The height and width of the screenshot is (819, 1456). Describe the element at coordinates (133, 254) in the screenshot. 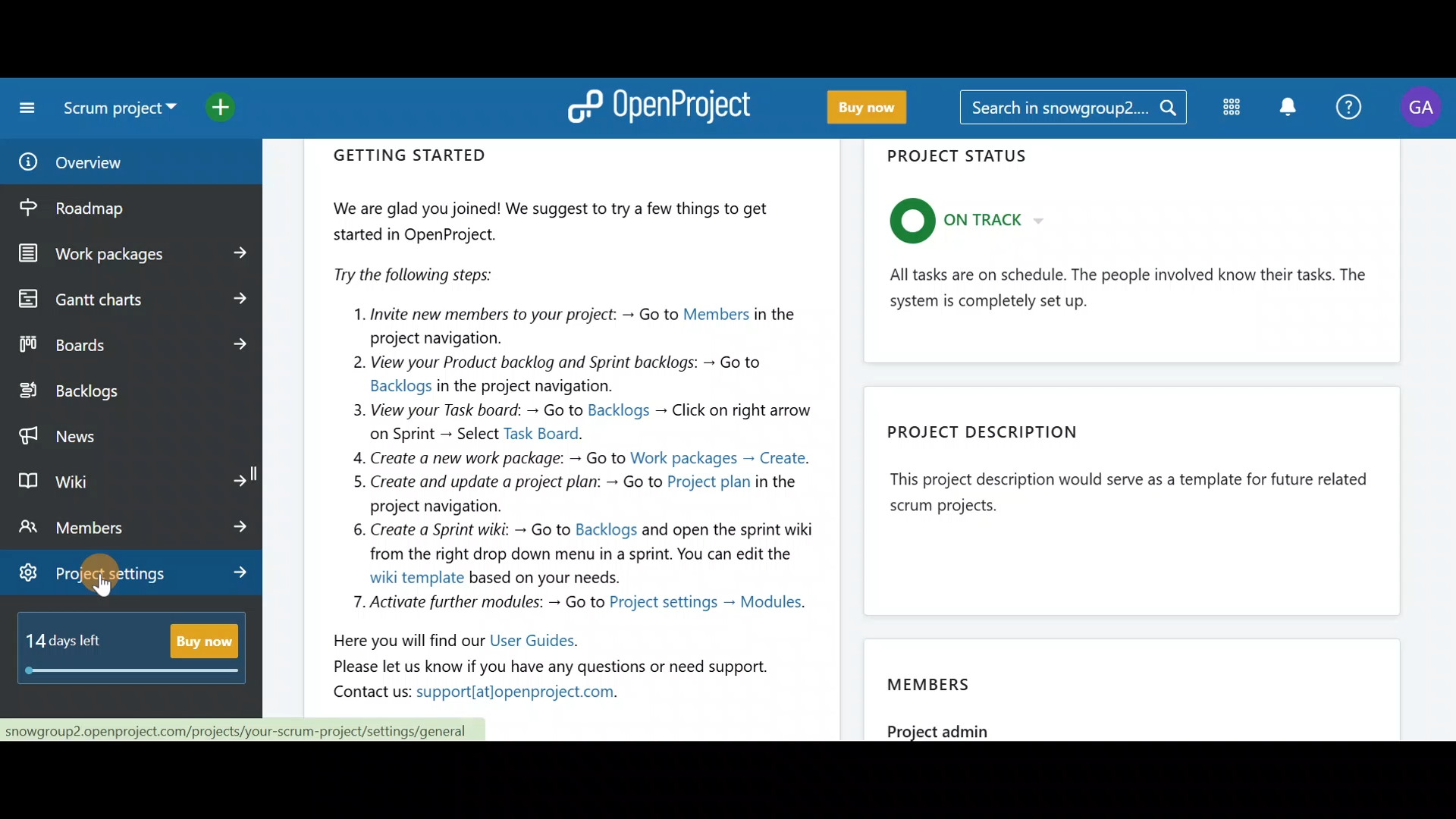

I see `Work packages` at that location.